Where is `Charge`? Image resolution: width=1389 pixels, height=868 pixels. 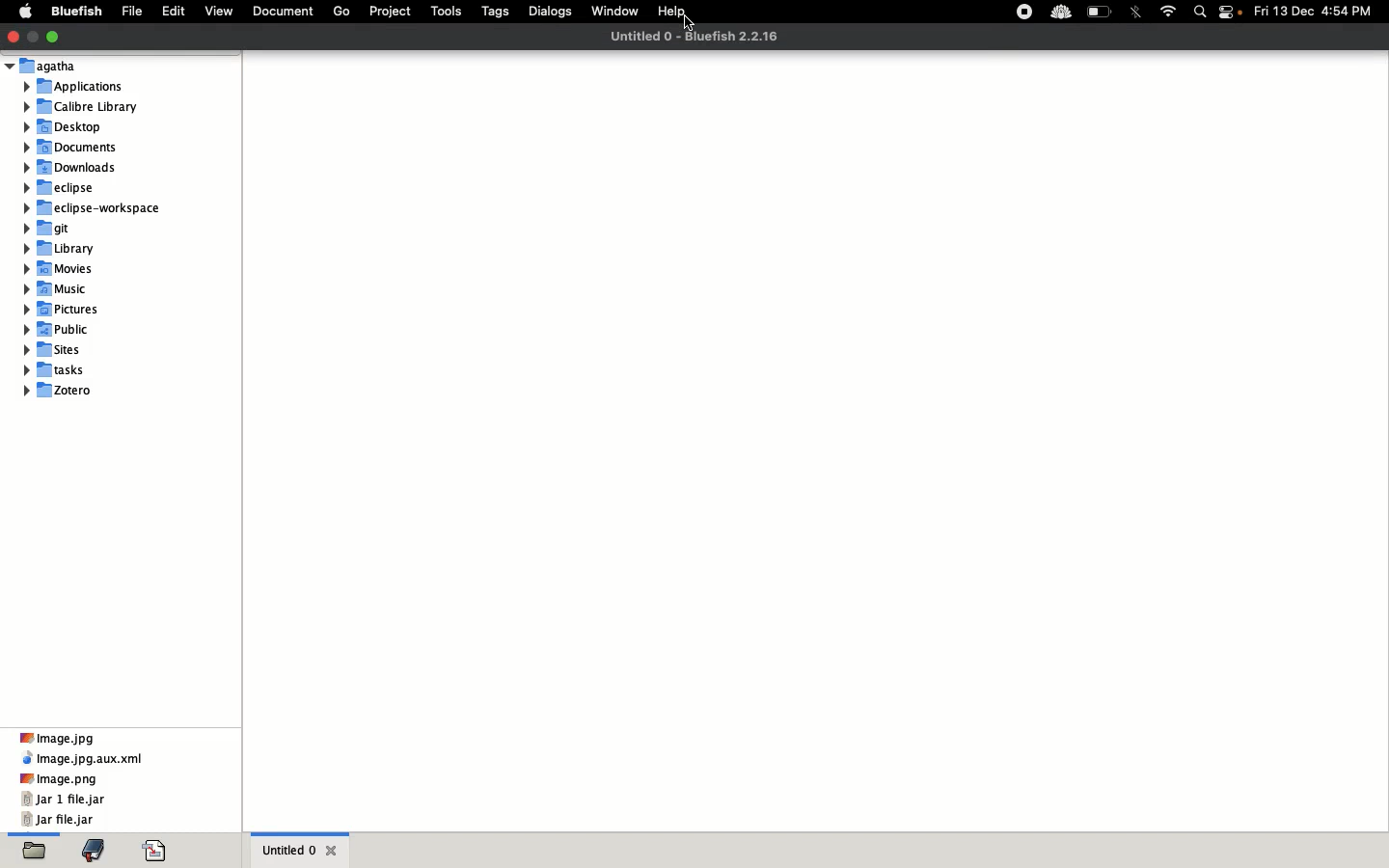
Charge is located at coordinates (1100, 13).